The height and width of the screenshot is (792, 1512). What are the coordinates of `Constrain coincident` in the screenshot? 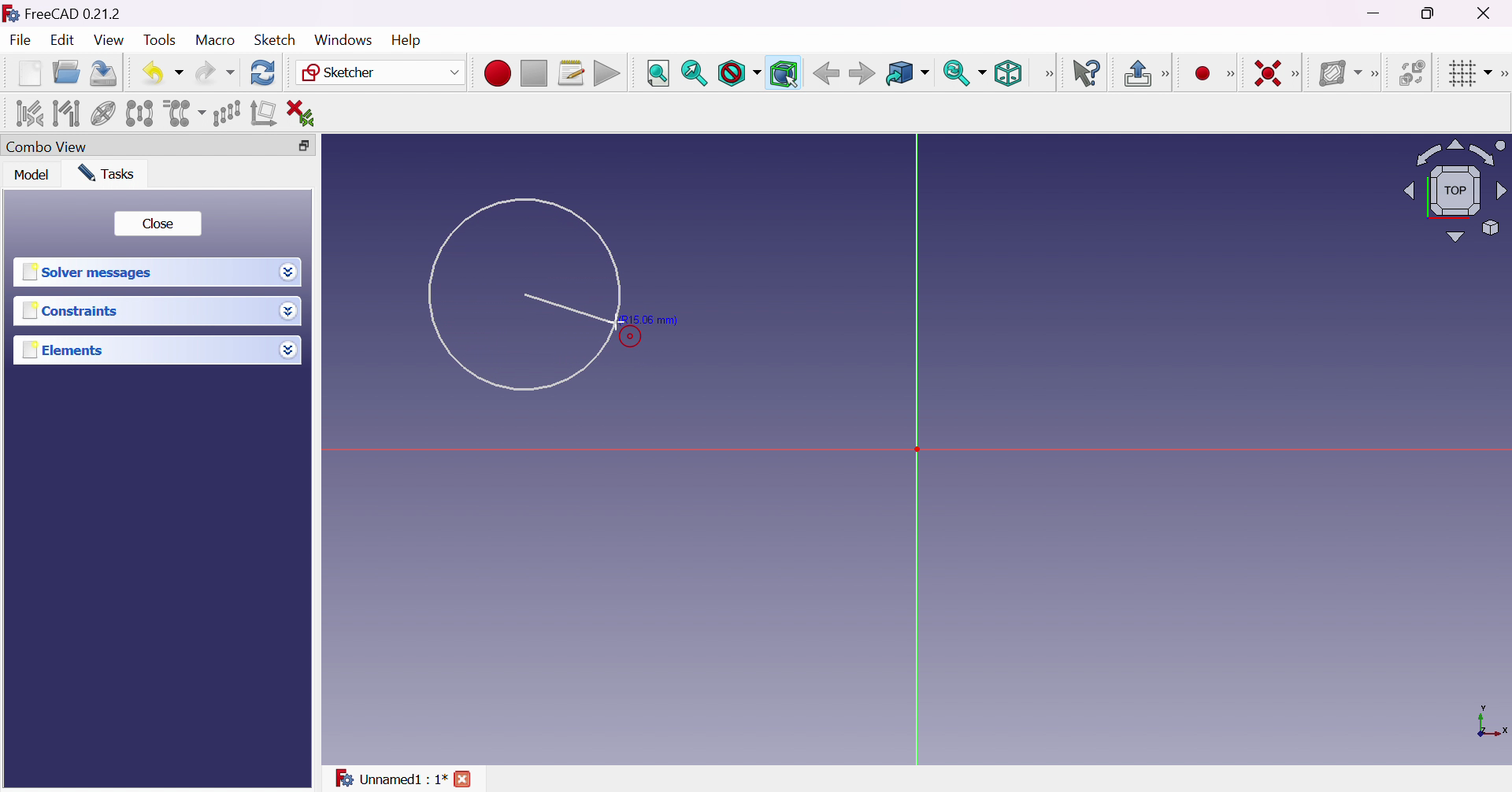 It's located at (1266, 73).